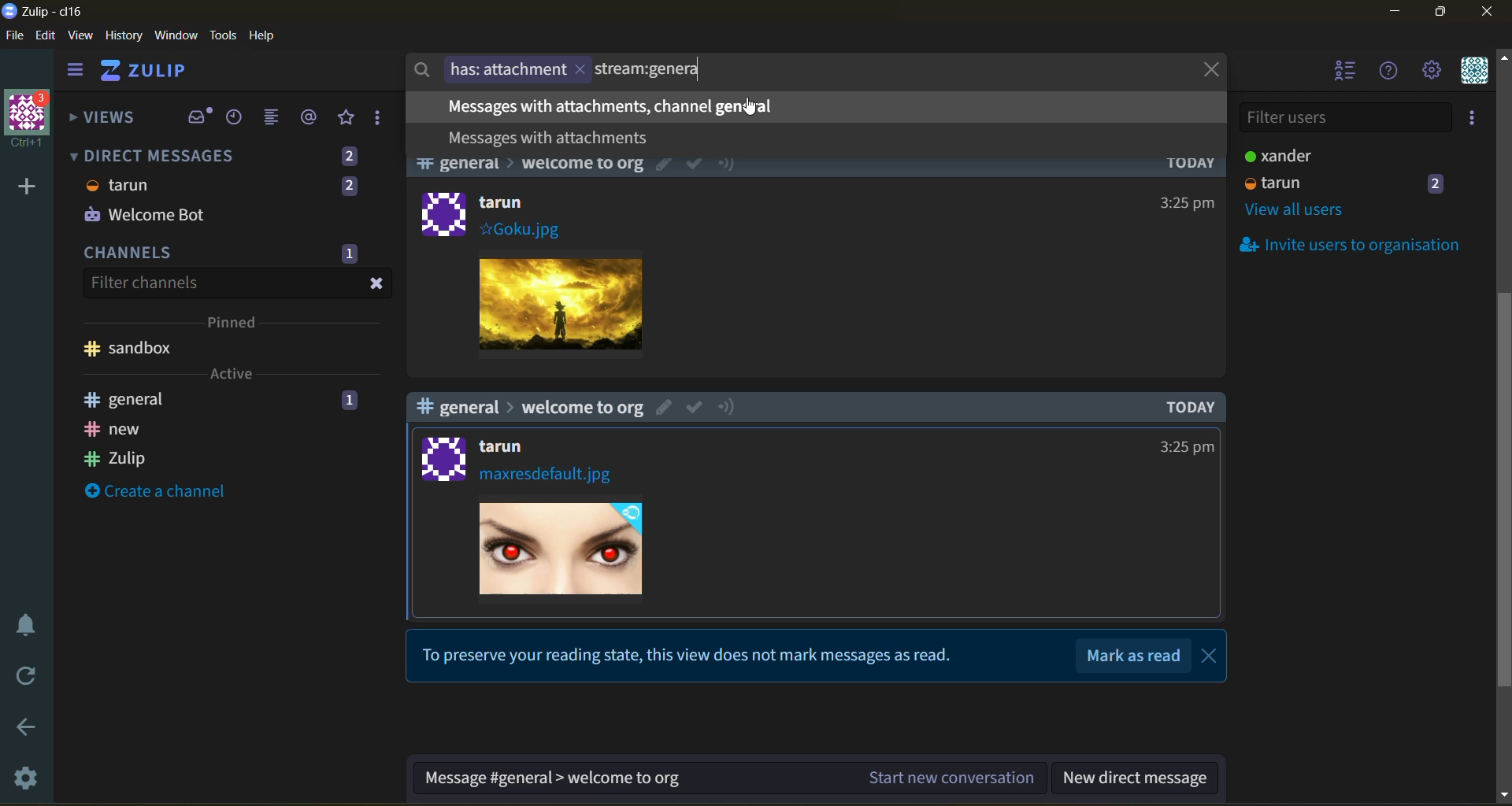 The image size is (1512, 806). Describe the element at coordinates (1275, 155) in the screenshot. I see `xander` at that location.